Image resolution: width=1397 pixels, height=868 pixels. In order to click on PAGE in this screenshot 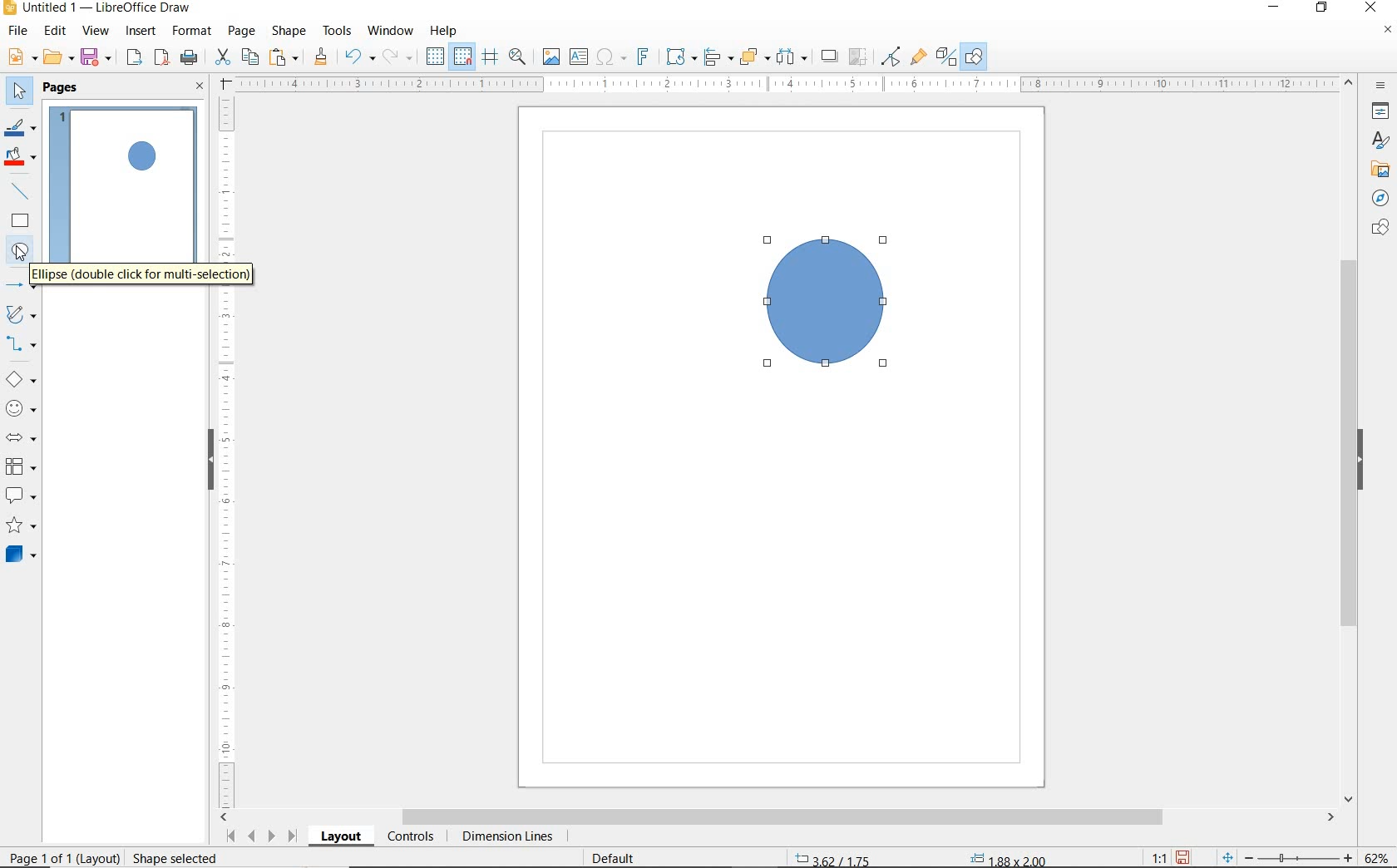, I will do `click(241, 31)`.